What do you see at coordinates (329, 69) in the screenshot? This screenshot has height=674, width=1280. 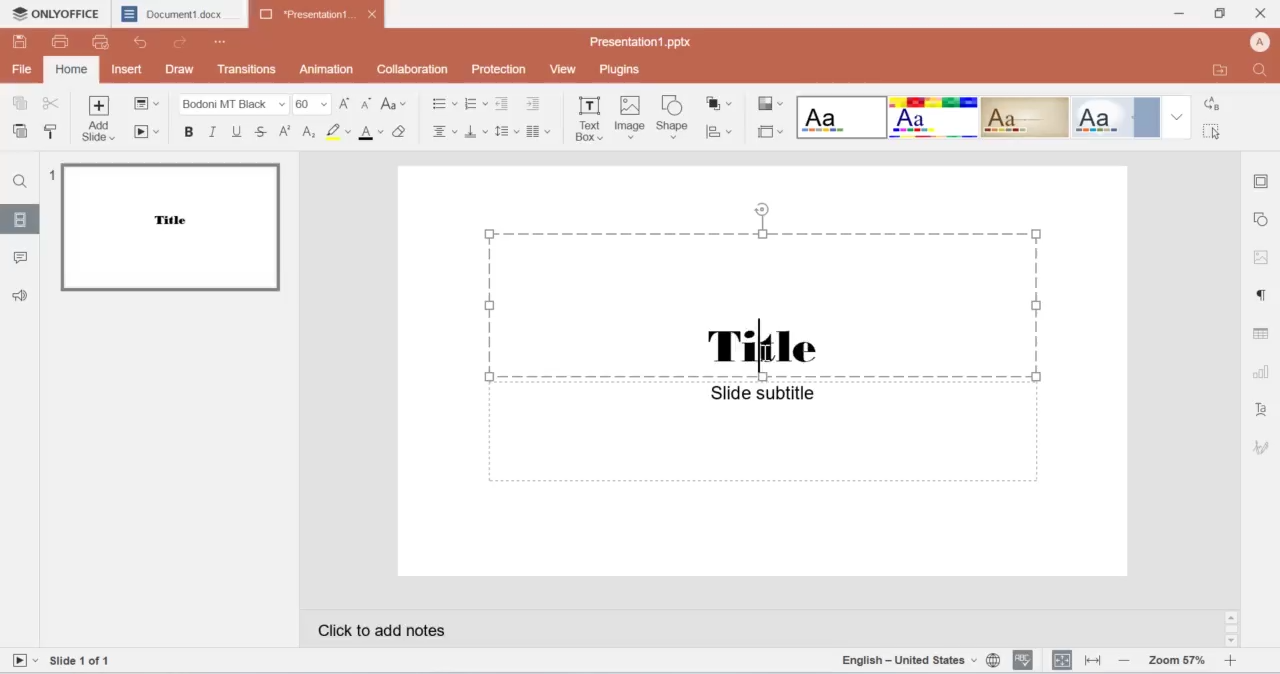 I see `animation` at bounding box center [329, 69].